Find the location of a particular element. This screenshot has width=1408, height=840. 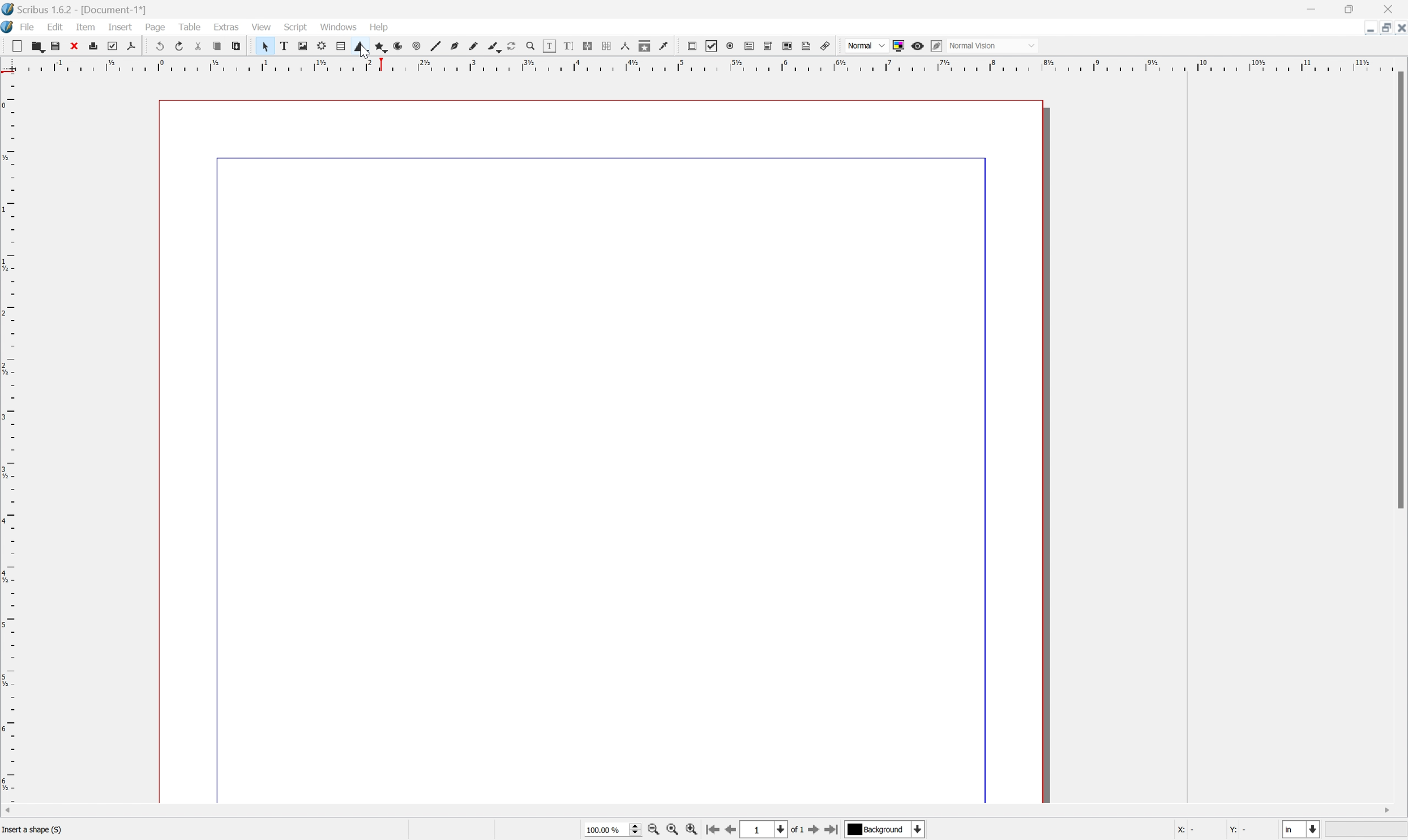

PDF combo box is located at coordinates (768, 46).